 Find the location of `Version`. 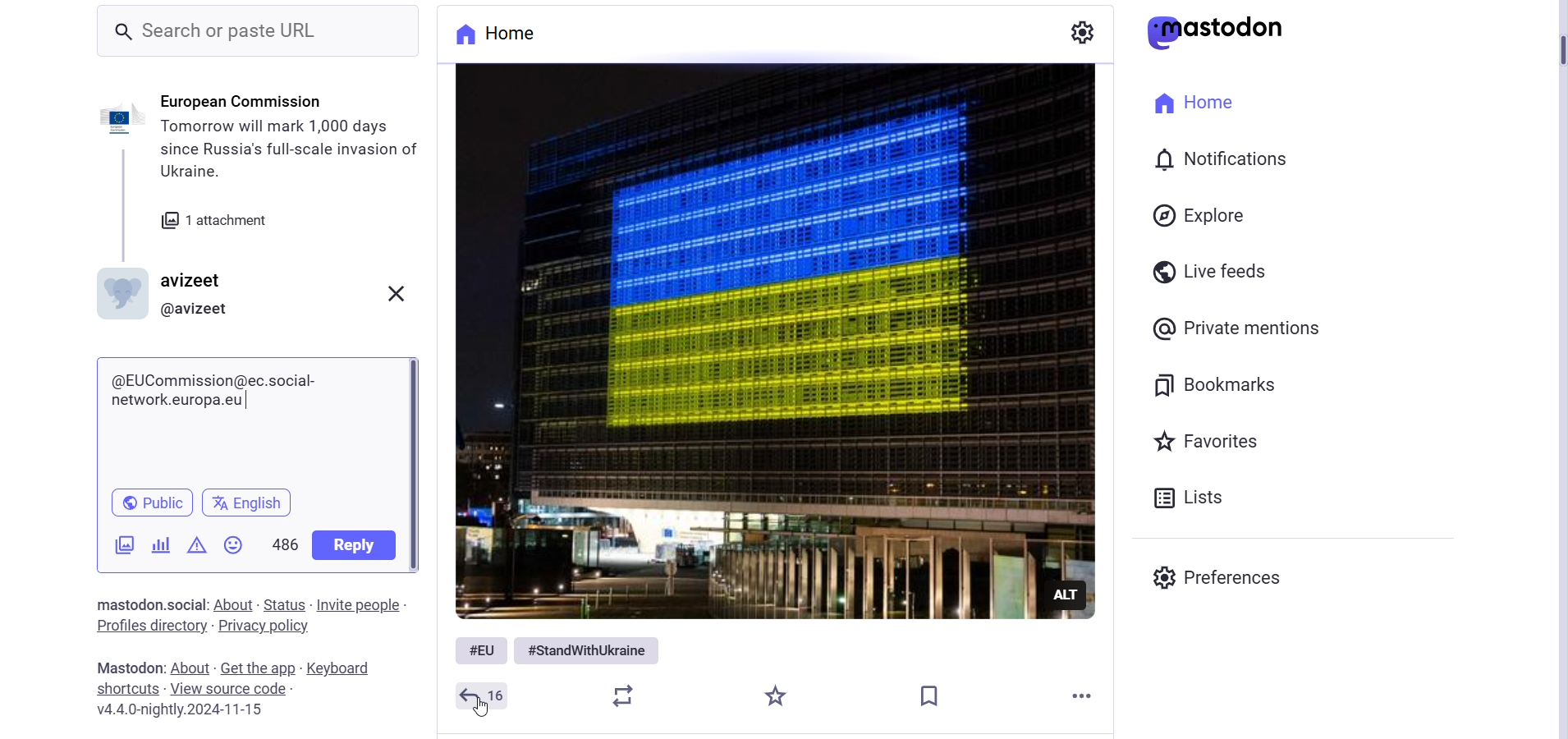

Version is located at coordinates (179, 710).